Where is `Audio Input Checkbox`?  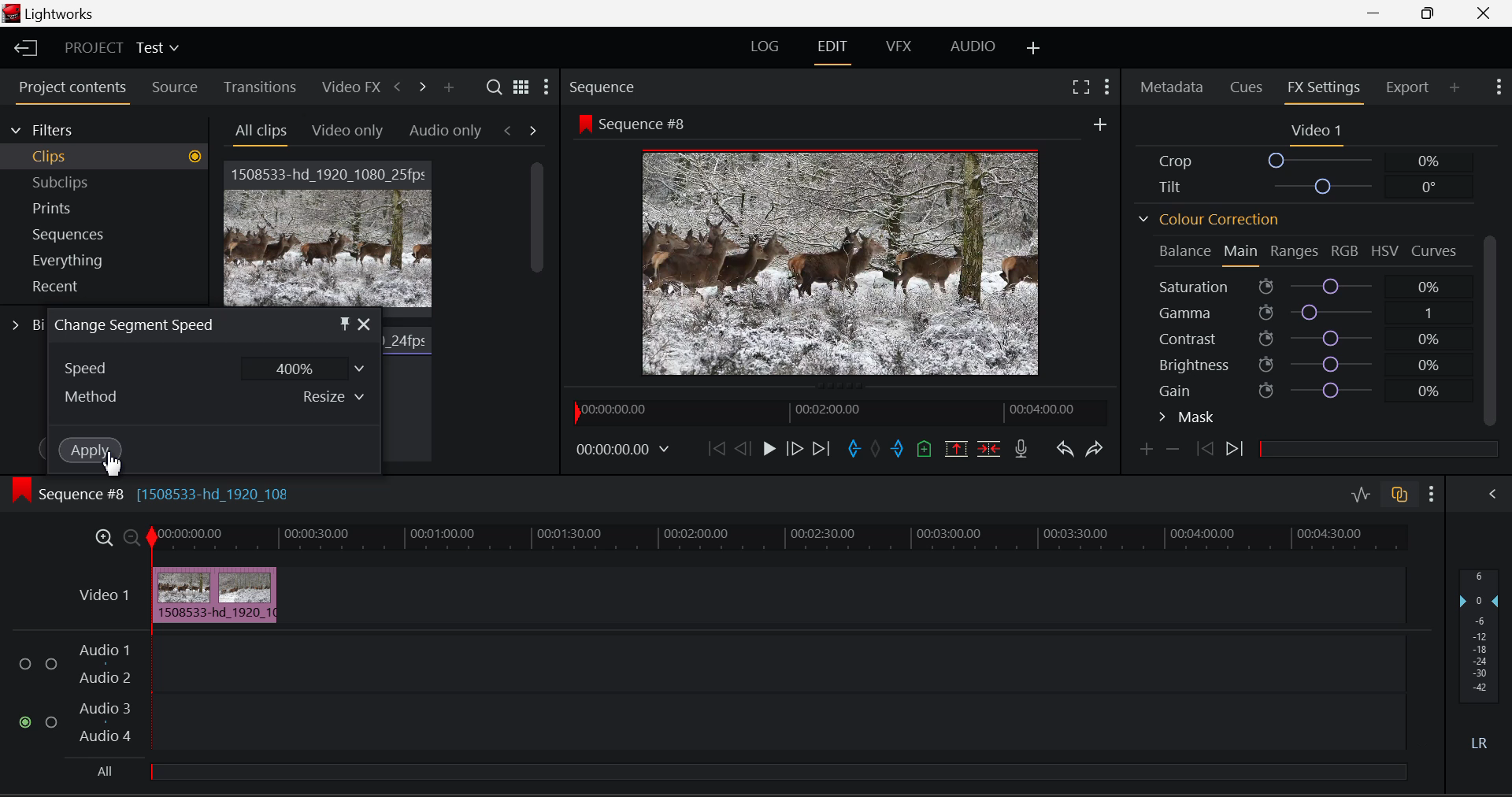 Audio Input Checkbox is located at coordinates (50, 664).